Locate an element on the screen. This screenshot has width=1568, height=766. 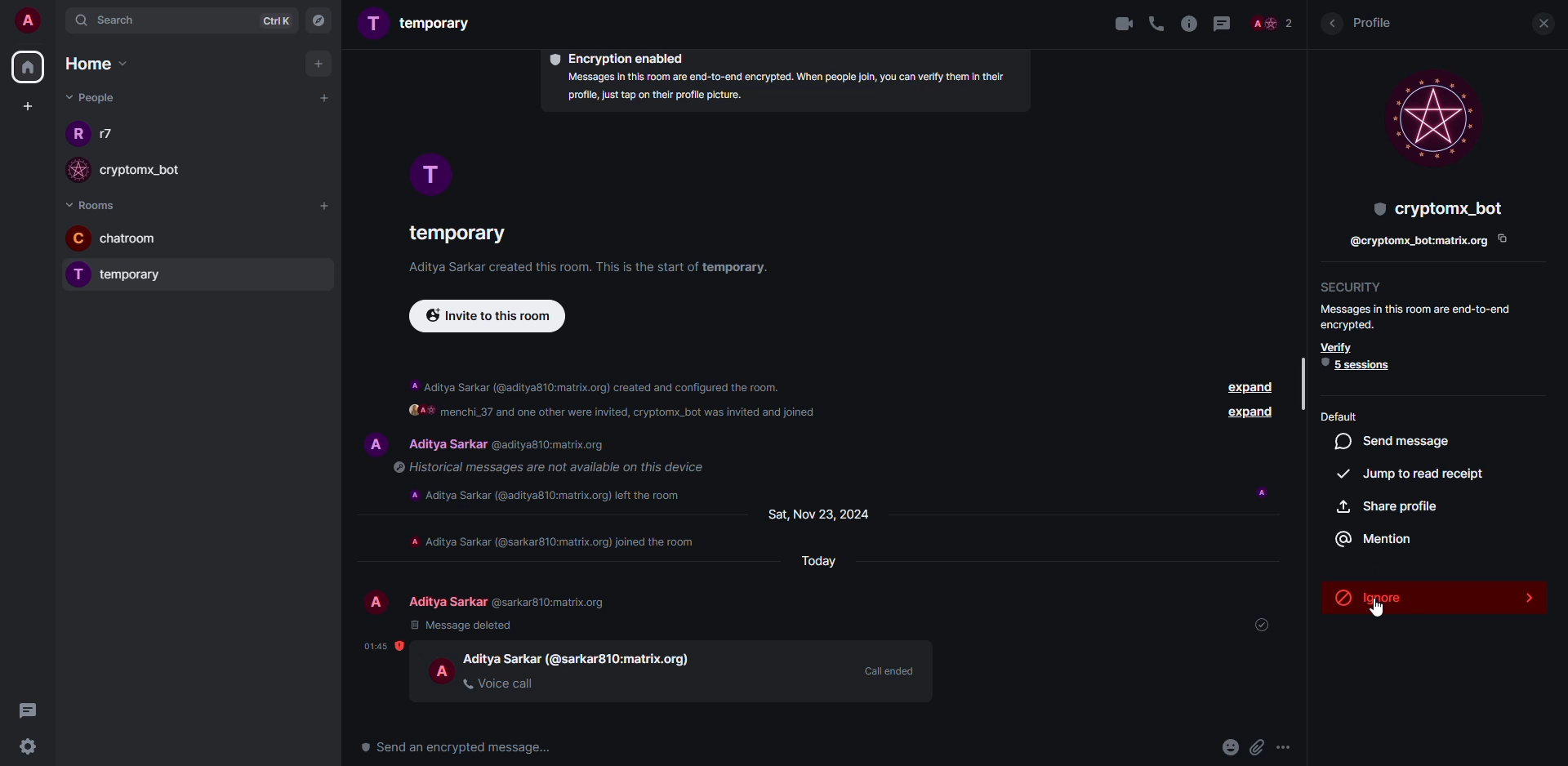
people is located at coordinates (90, 97).